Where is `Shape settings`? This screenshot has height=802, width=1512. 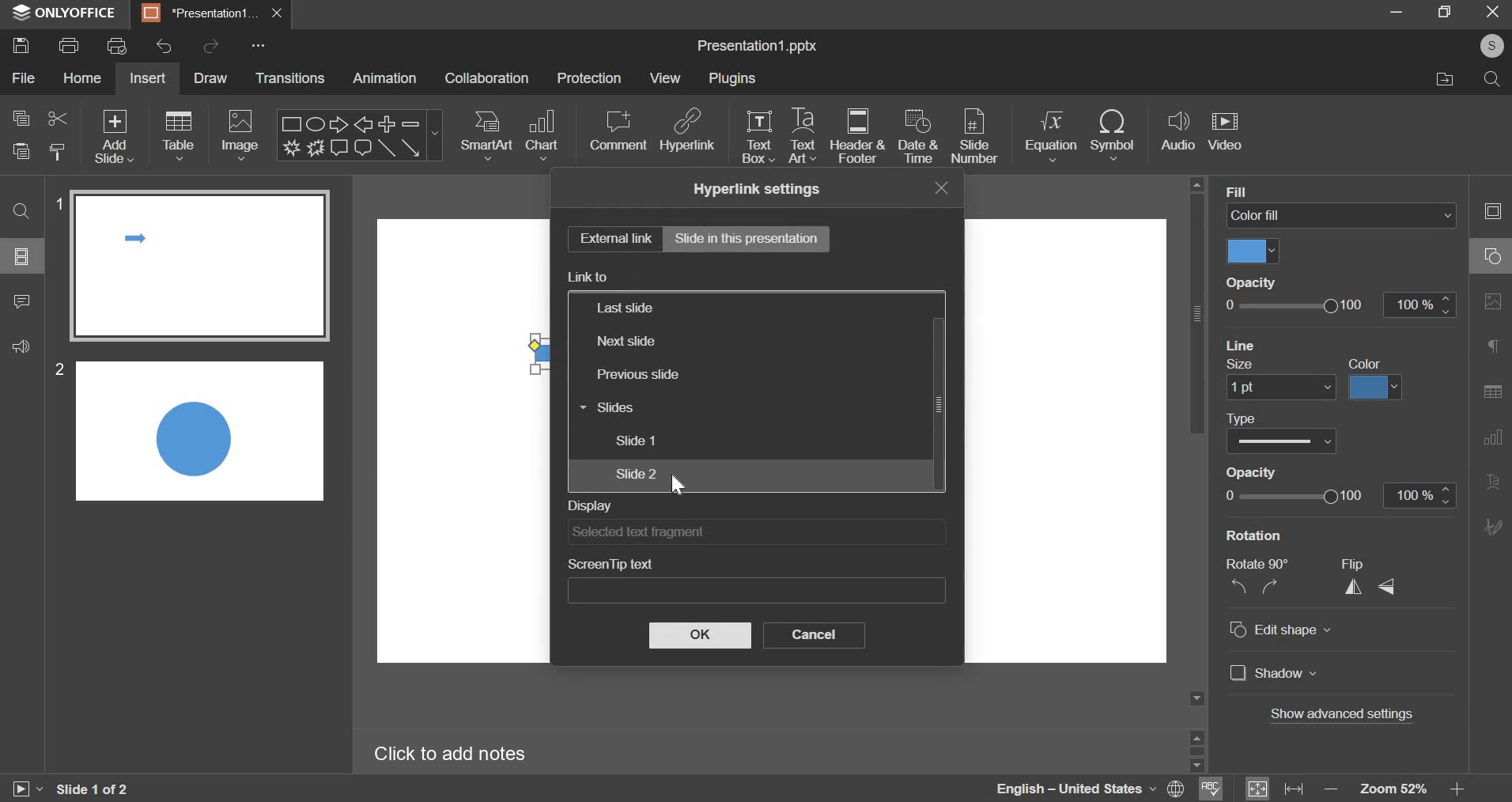
Shape settings is located at coordinates (1491, 253).